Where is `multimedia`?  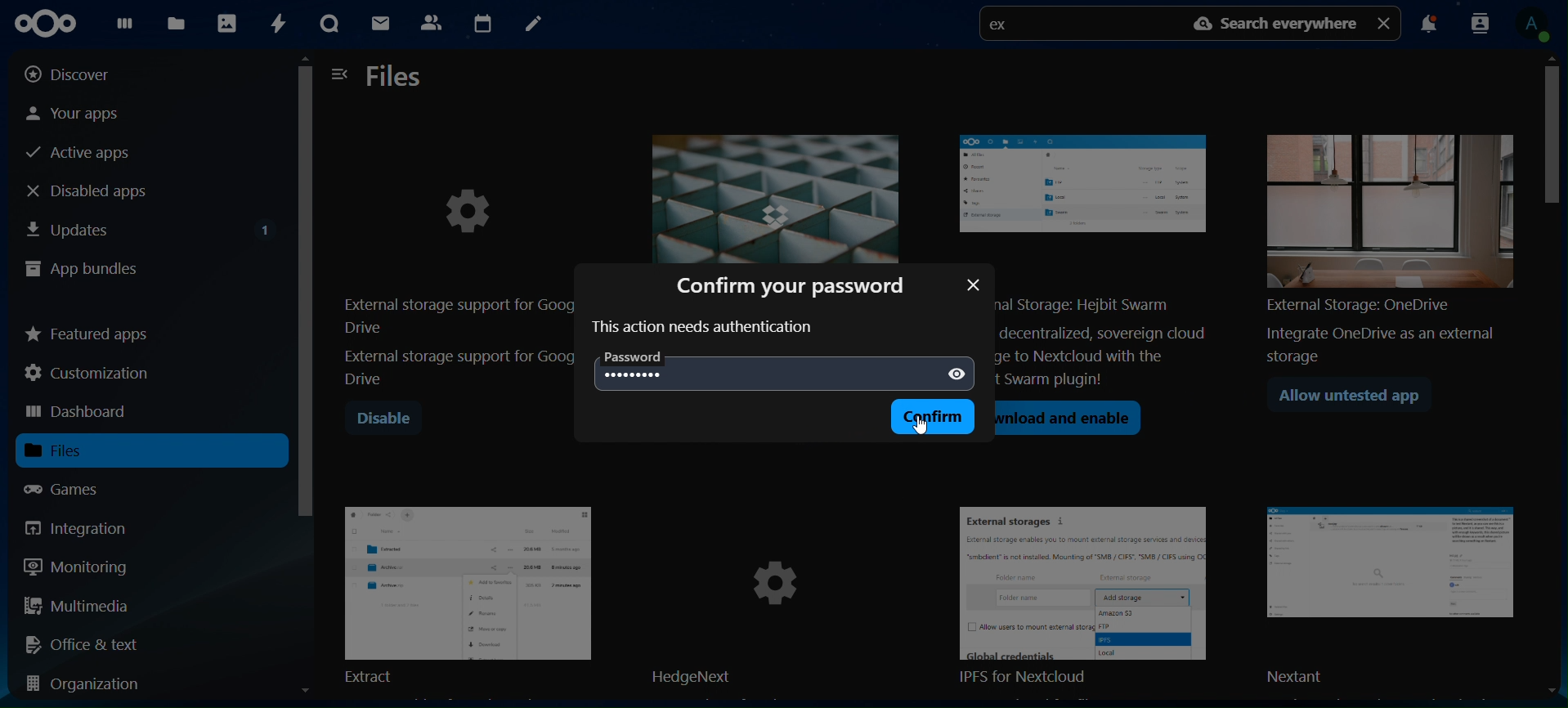 multimedia is located at coordinates (78, 608).